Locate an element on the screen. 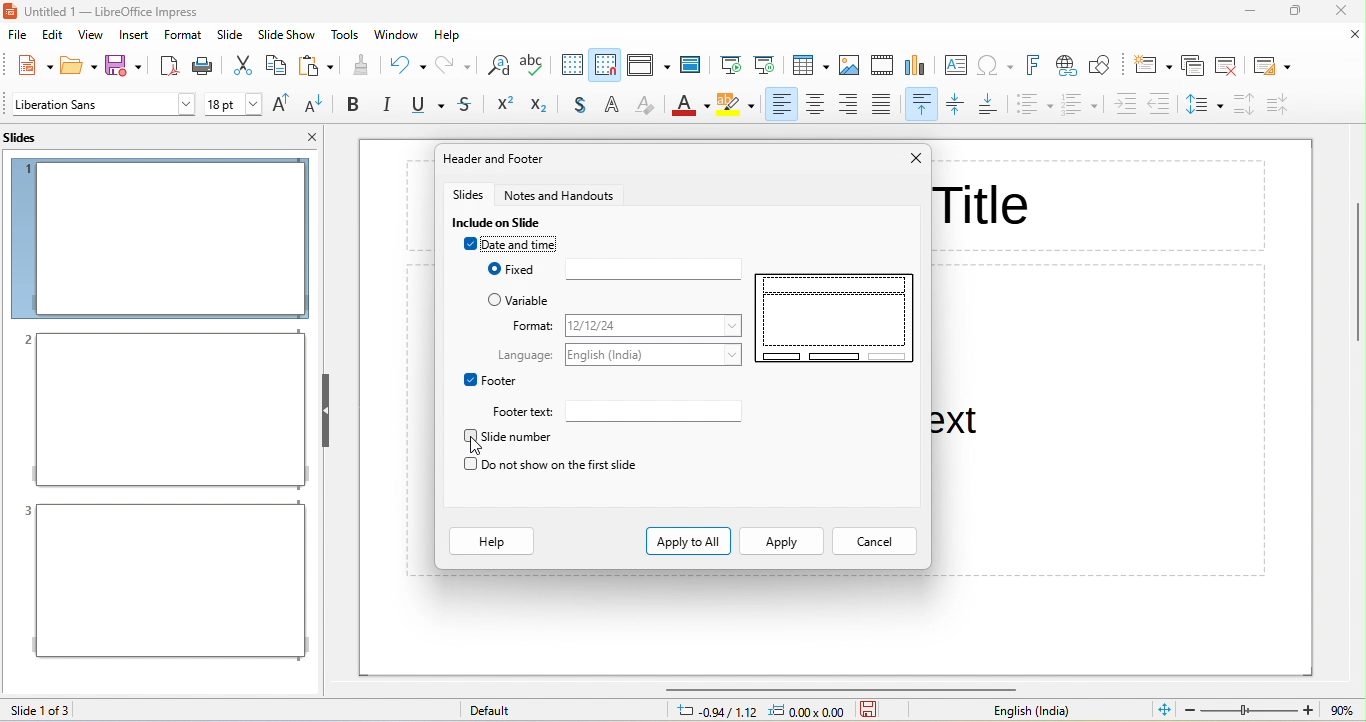 This screenshot has width=1366, height=722. format is located at coordinates (656, 326).